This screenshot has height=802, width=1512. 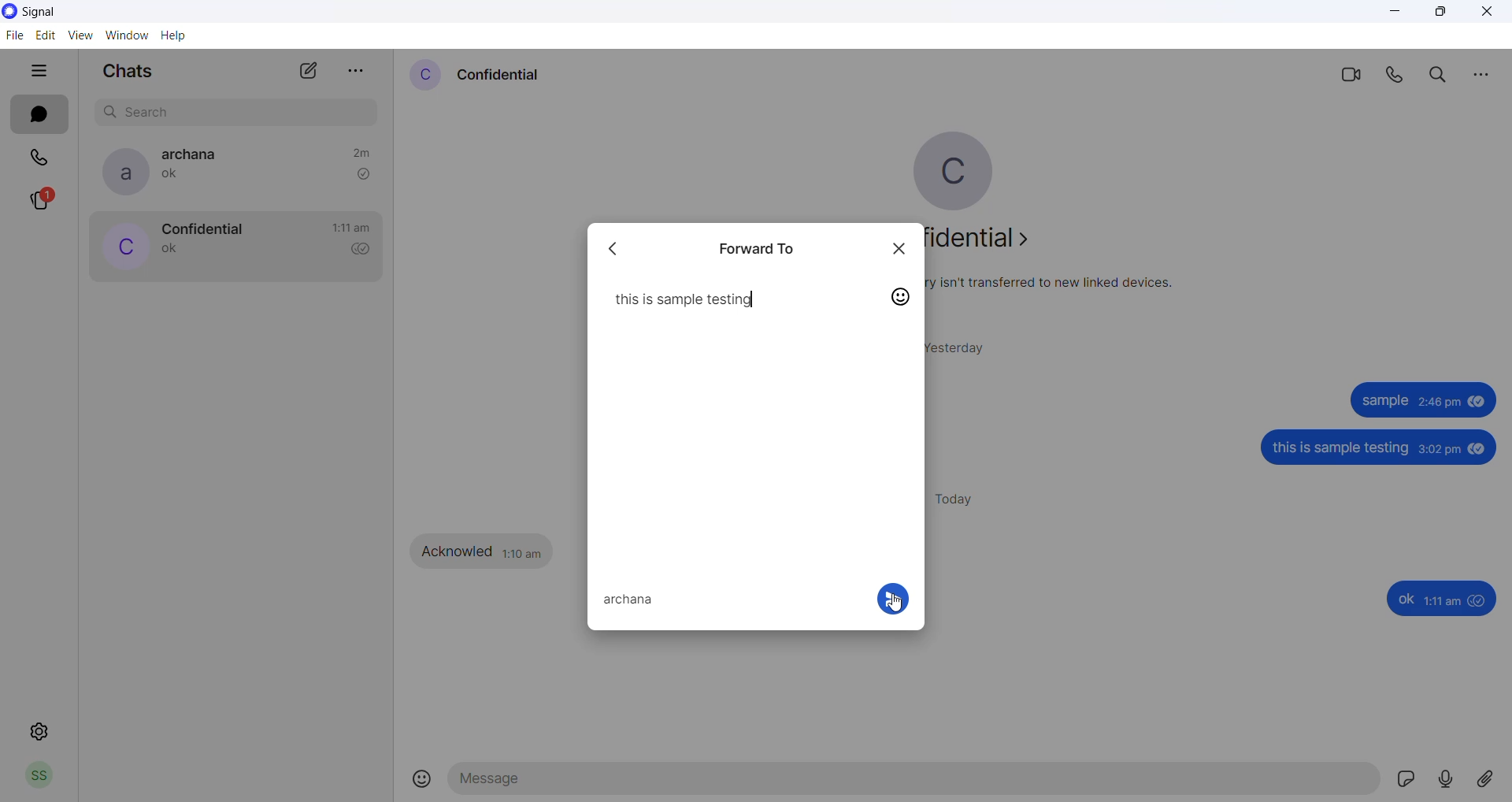 What do you see at coordinates (120, 172) in the screenshot?
I see `profile picture` at bounding box center [120, 172].